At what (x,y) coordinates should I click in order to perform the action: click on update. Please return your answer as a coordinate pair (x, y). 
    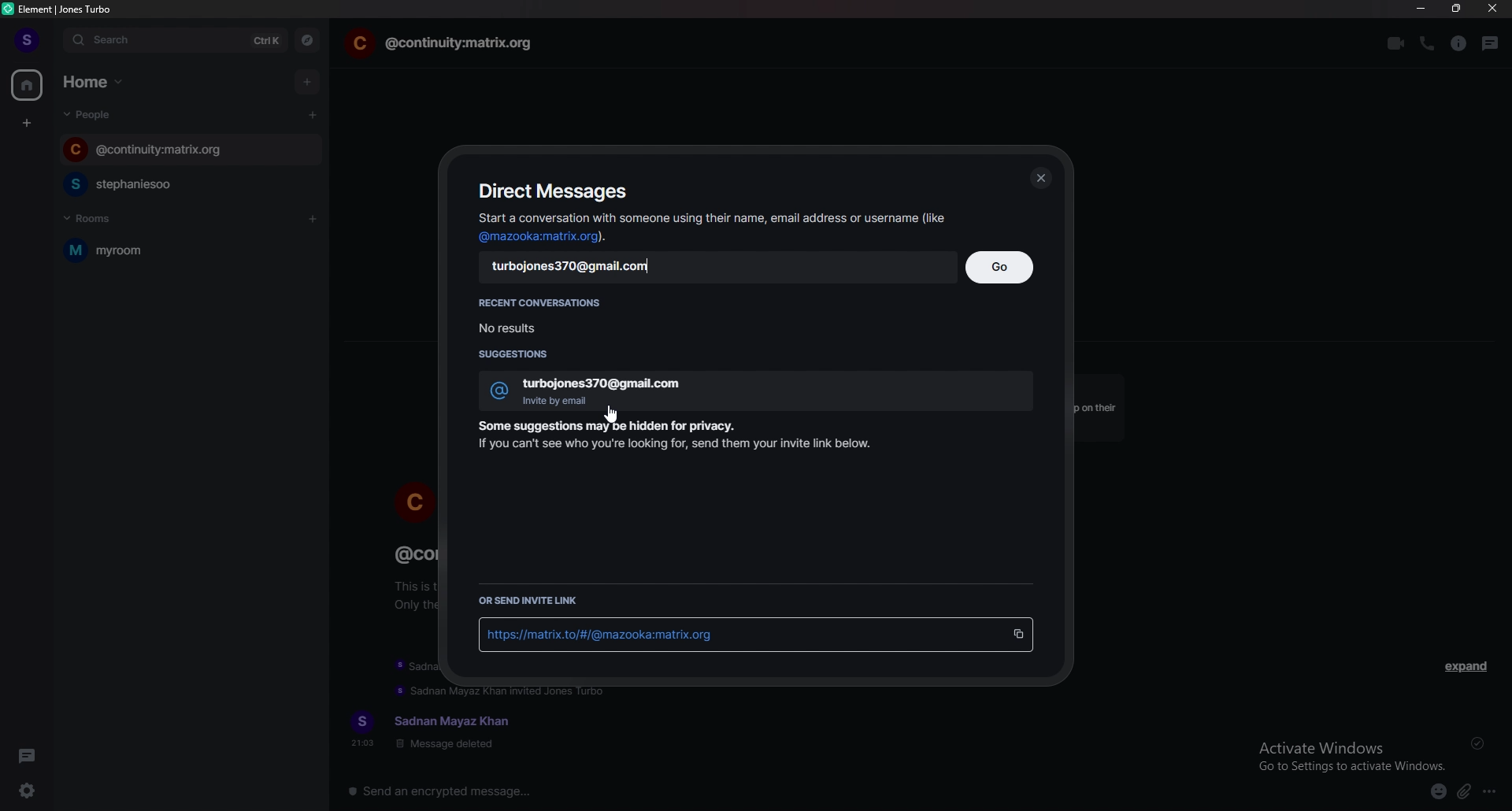
    Looking at the image, I should click on (506, 693).